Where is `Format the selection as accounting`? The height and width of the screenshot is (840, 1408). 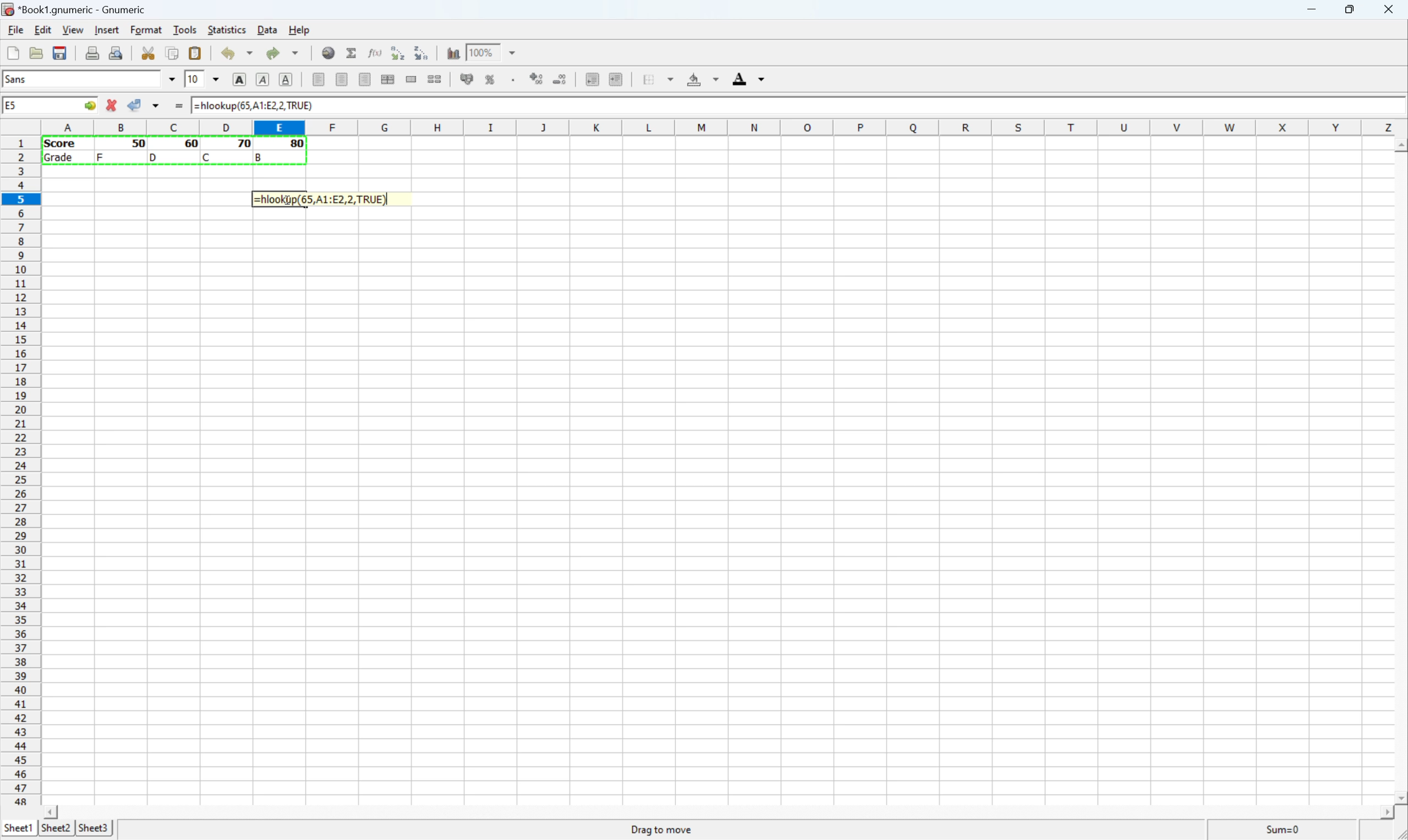
Format the selection as accounting is located at coordinates (462, 81).